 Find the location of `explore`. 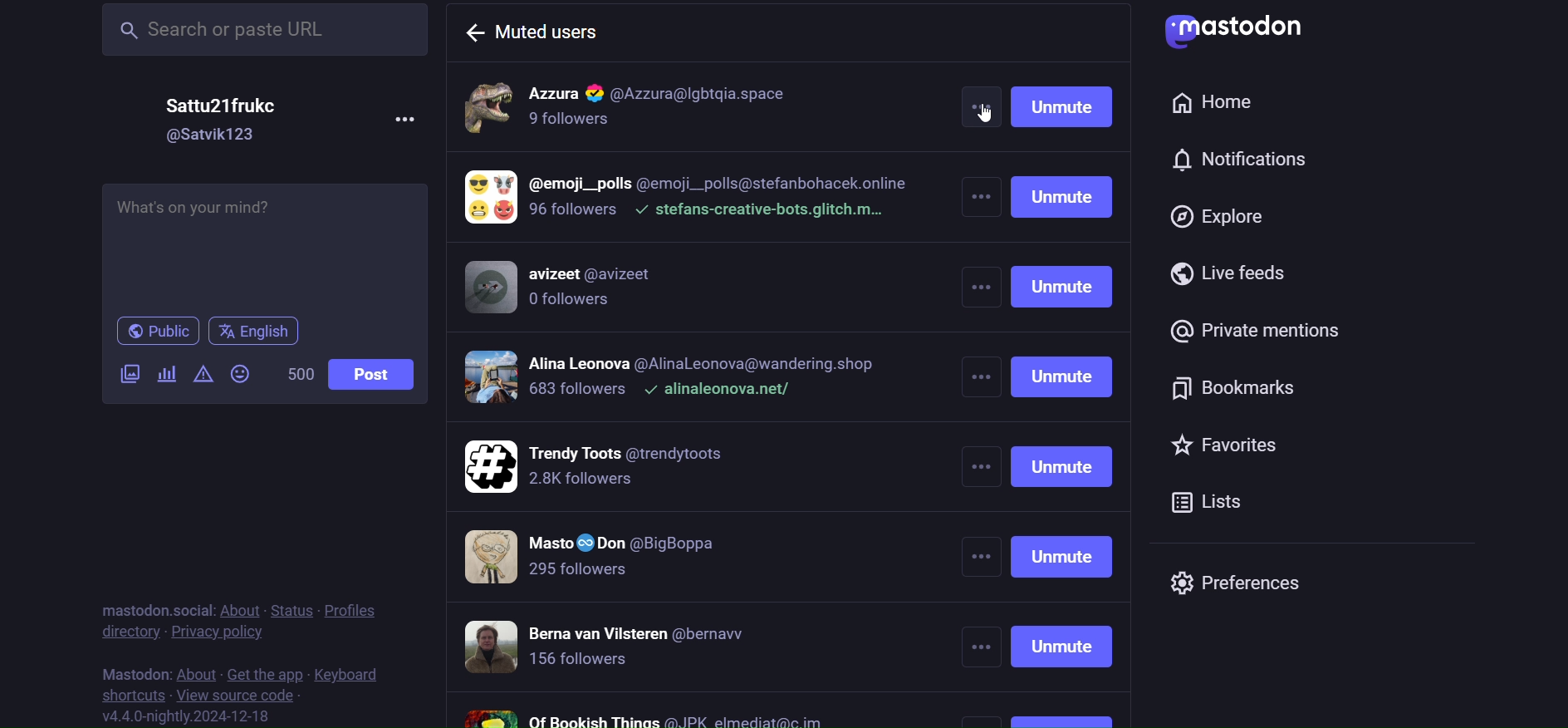

explore is located at coordinates (1230, 218).